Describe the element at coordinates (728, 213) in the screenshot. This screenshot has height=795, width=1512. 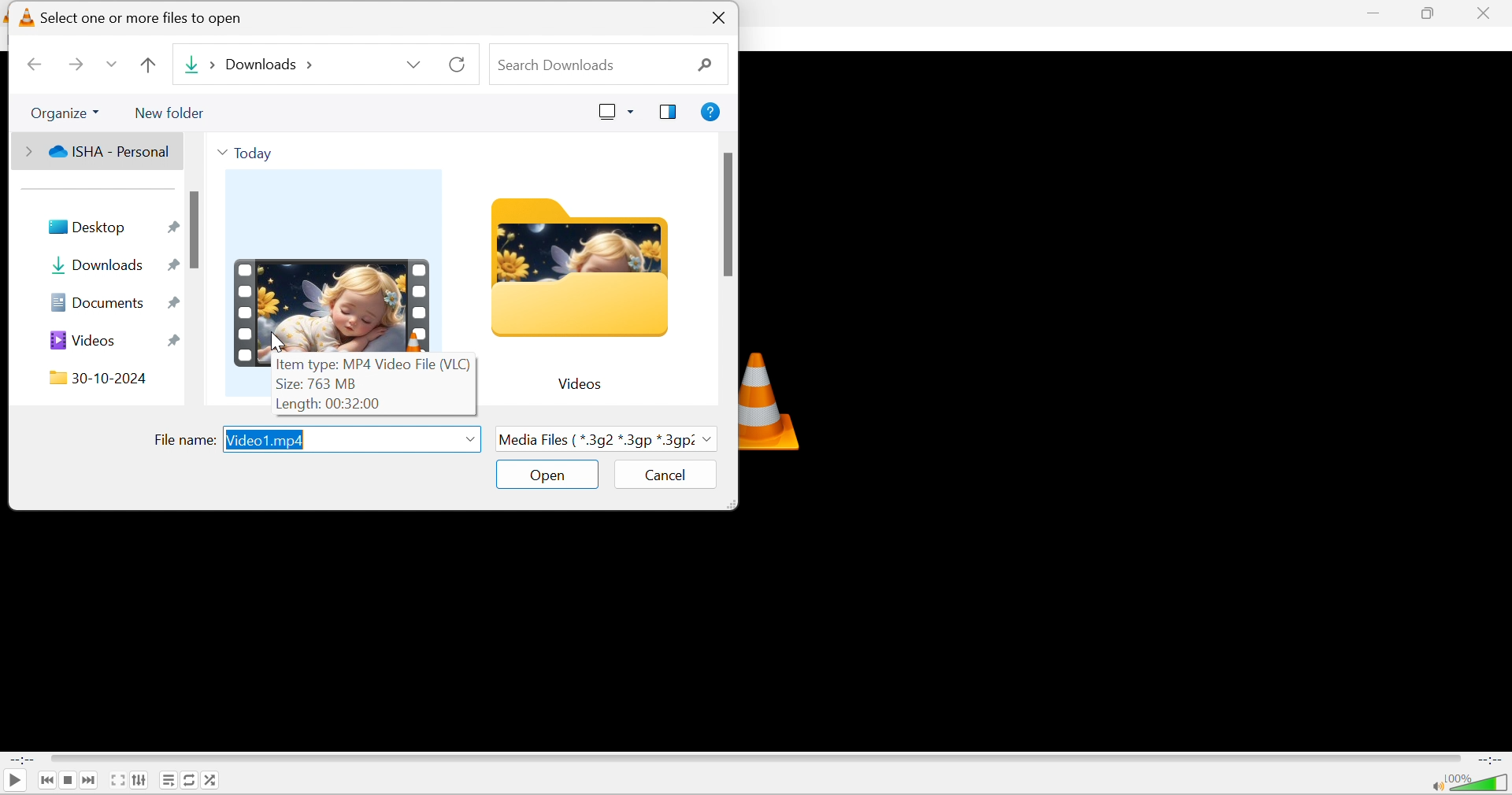
I see `scroll bar` at that location.